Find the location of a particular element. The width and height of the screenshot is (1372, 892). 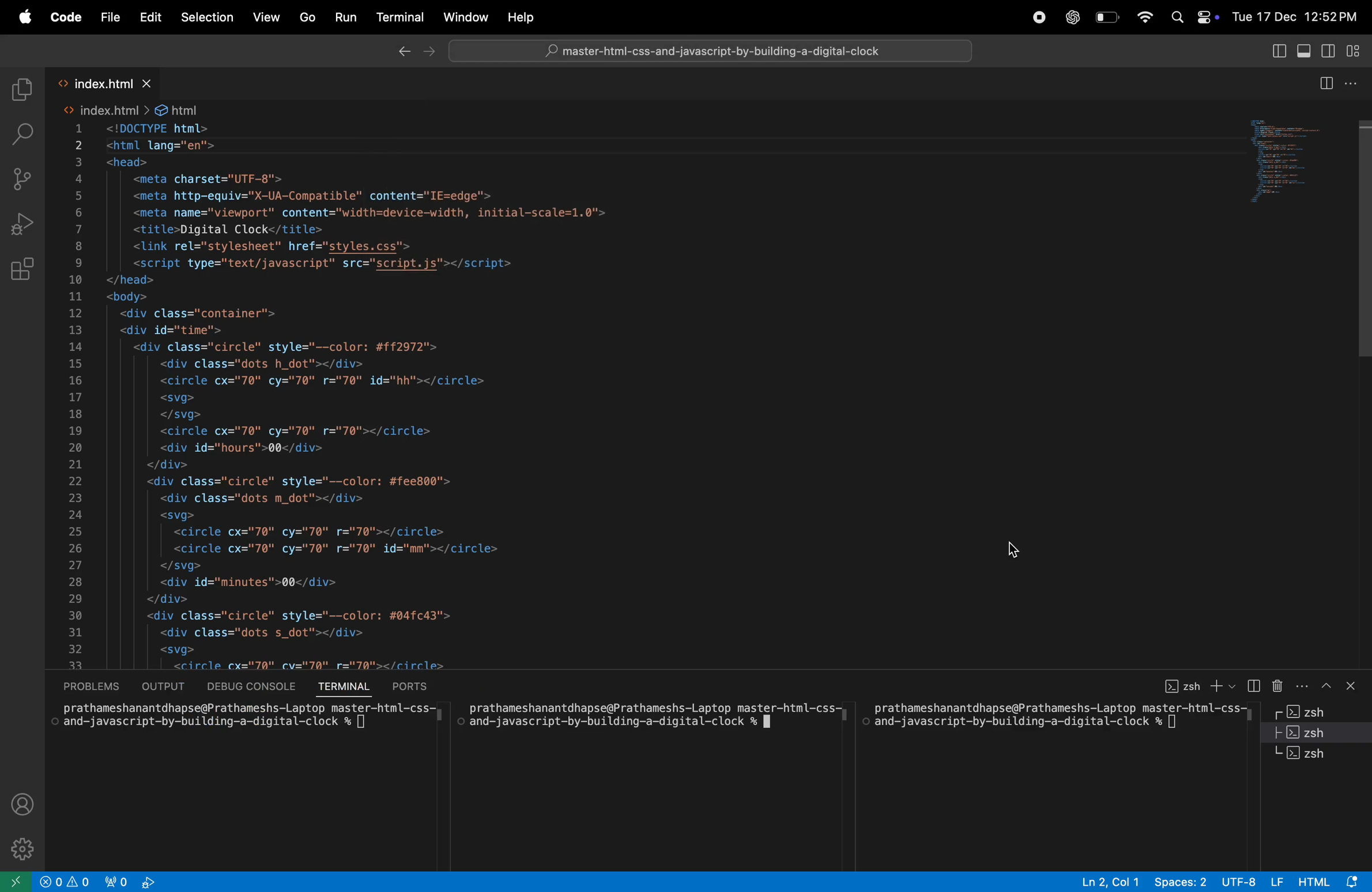

profile is located at coordinates (24, 800).